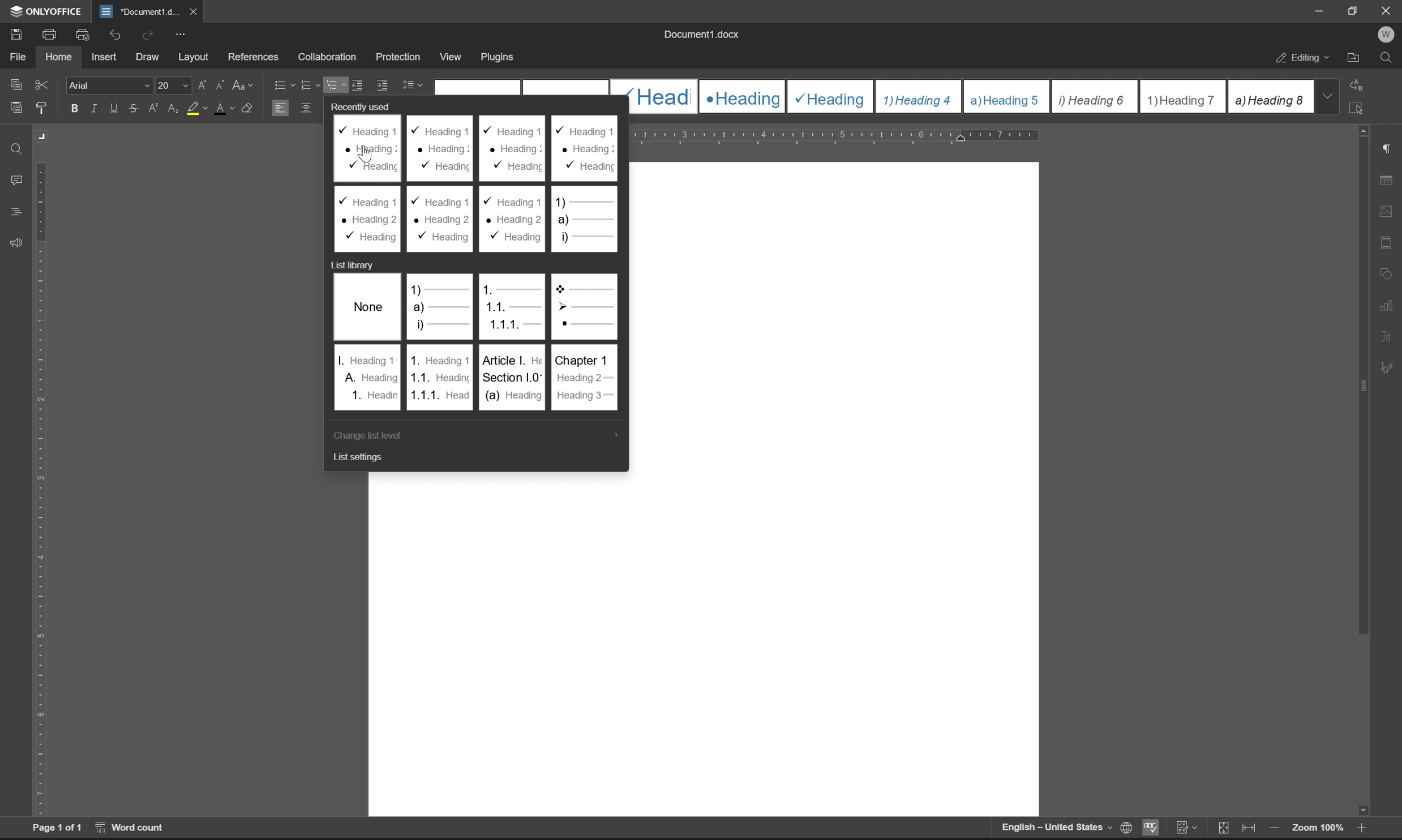 Image resolution: width=1402 pixels, height=840 pixels. Describe the element at coordinates (1360, 84) in the screenshot. I see `replace` at that location.